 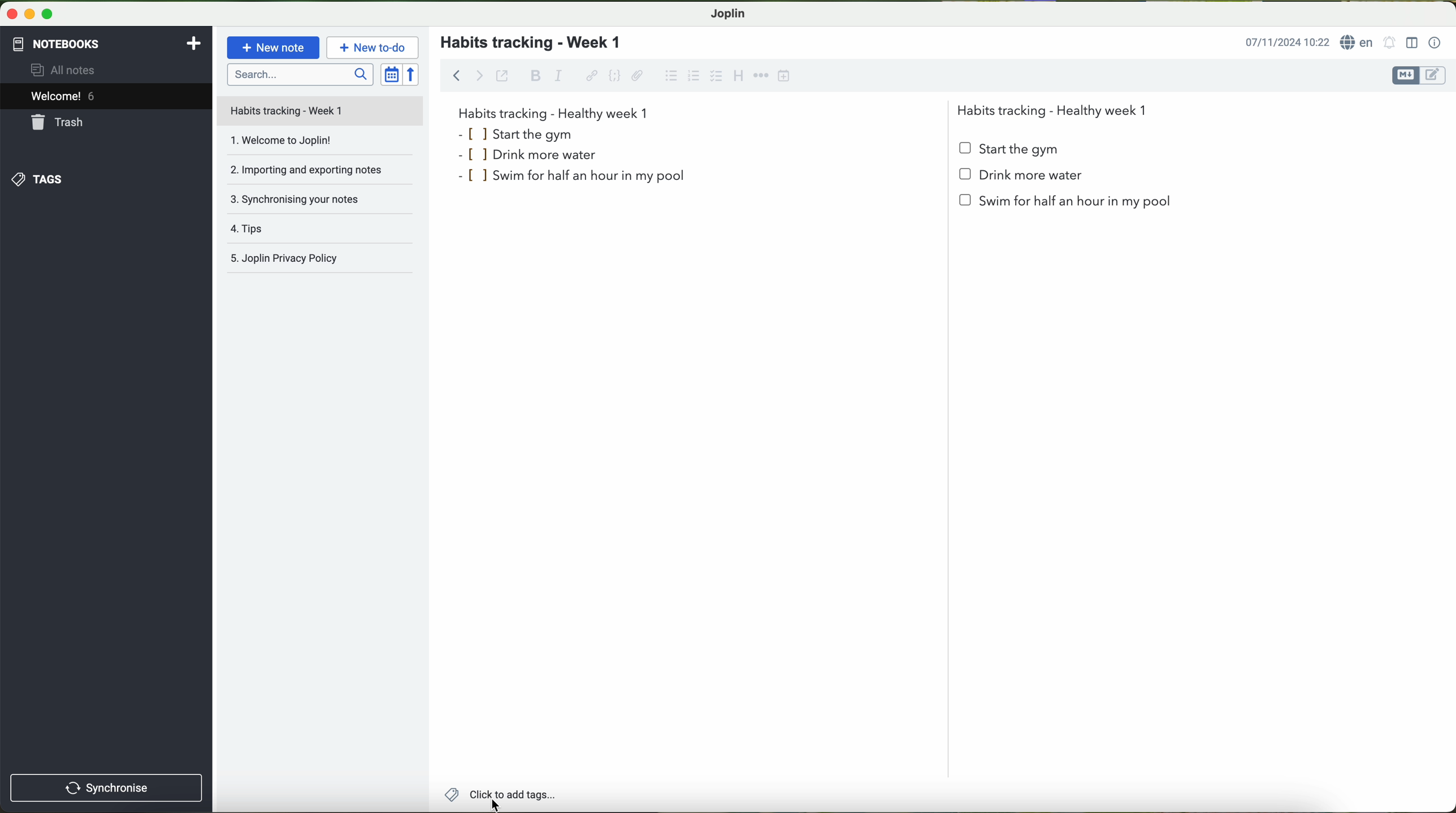 I want to click on importing and exporting notes, so click(x=319, y=174).